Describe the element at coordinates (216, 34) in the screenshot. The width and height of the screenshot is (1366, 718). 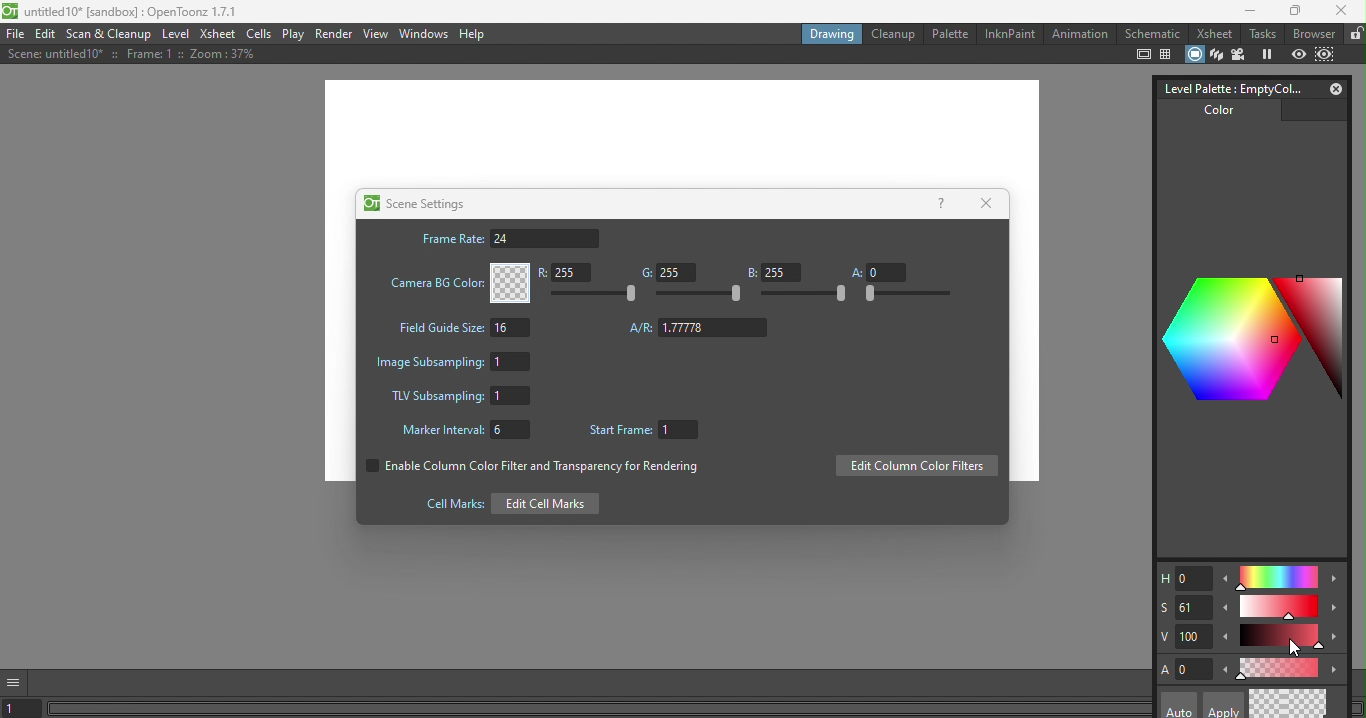
I see `Xsheet` at that location.